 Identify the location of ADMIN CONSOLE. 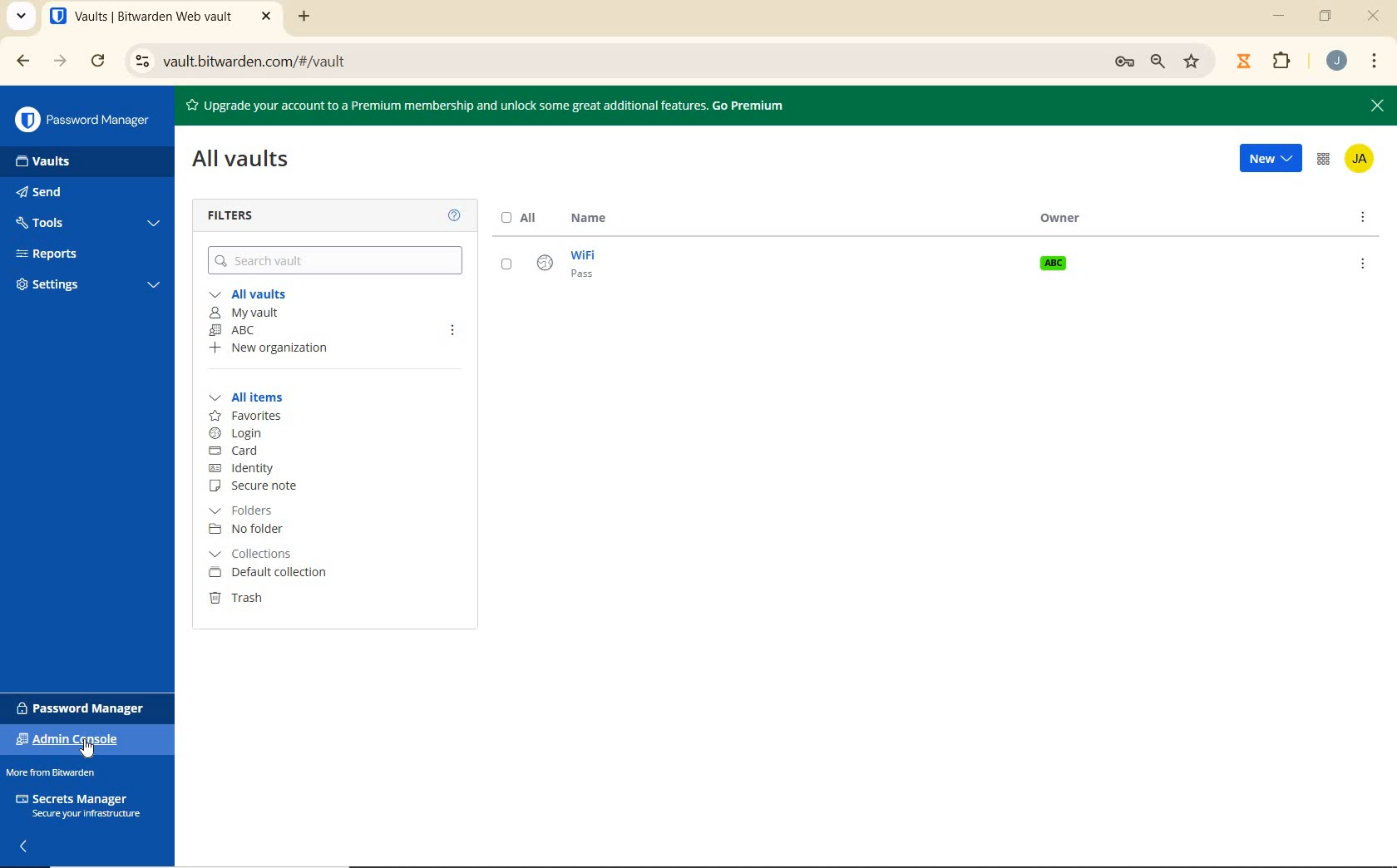
(1324, 160).